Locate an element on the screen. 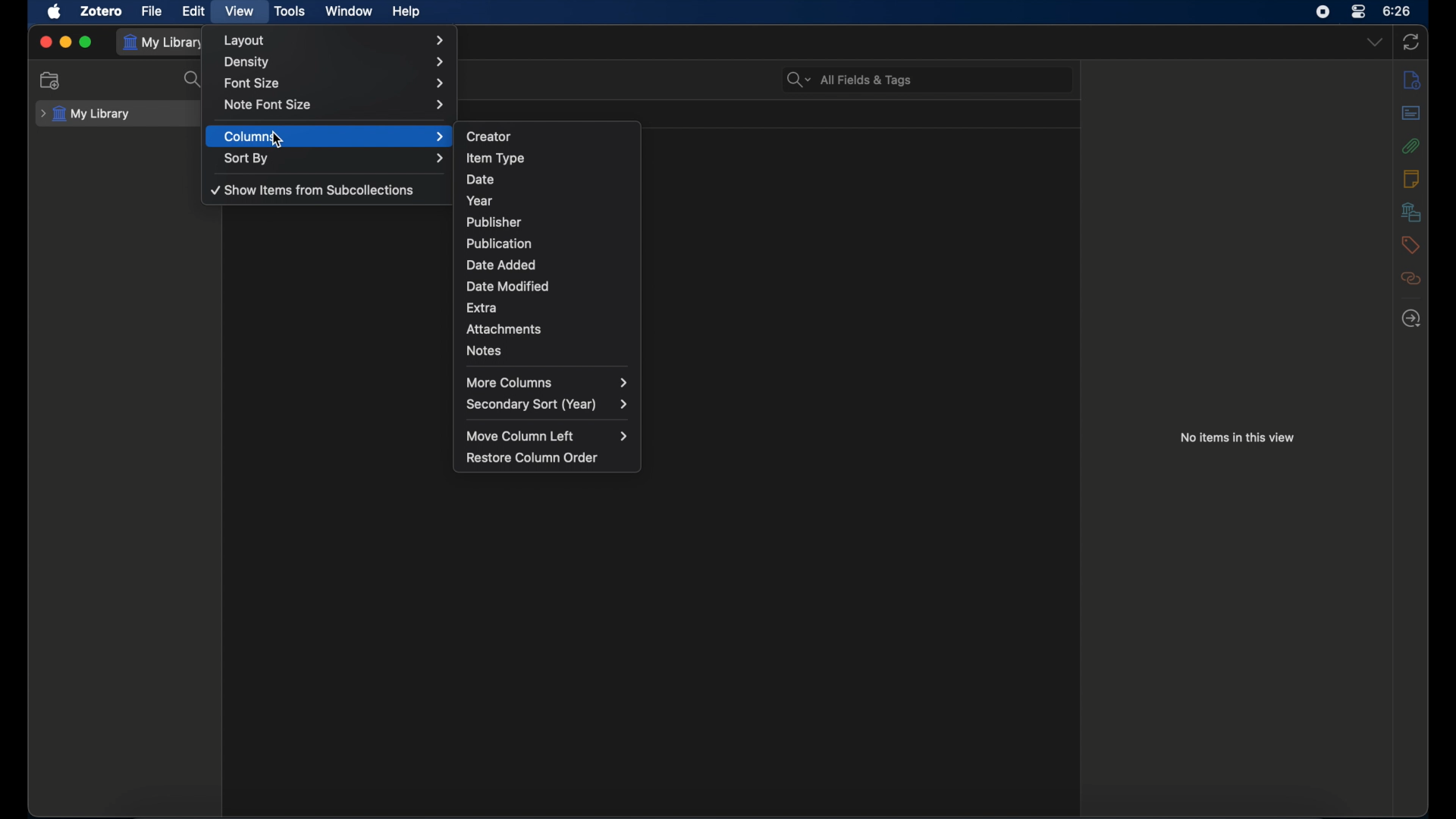 The image size is (1456, 819). zotero is located at coordinates (102, 11).